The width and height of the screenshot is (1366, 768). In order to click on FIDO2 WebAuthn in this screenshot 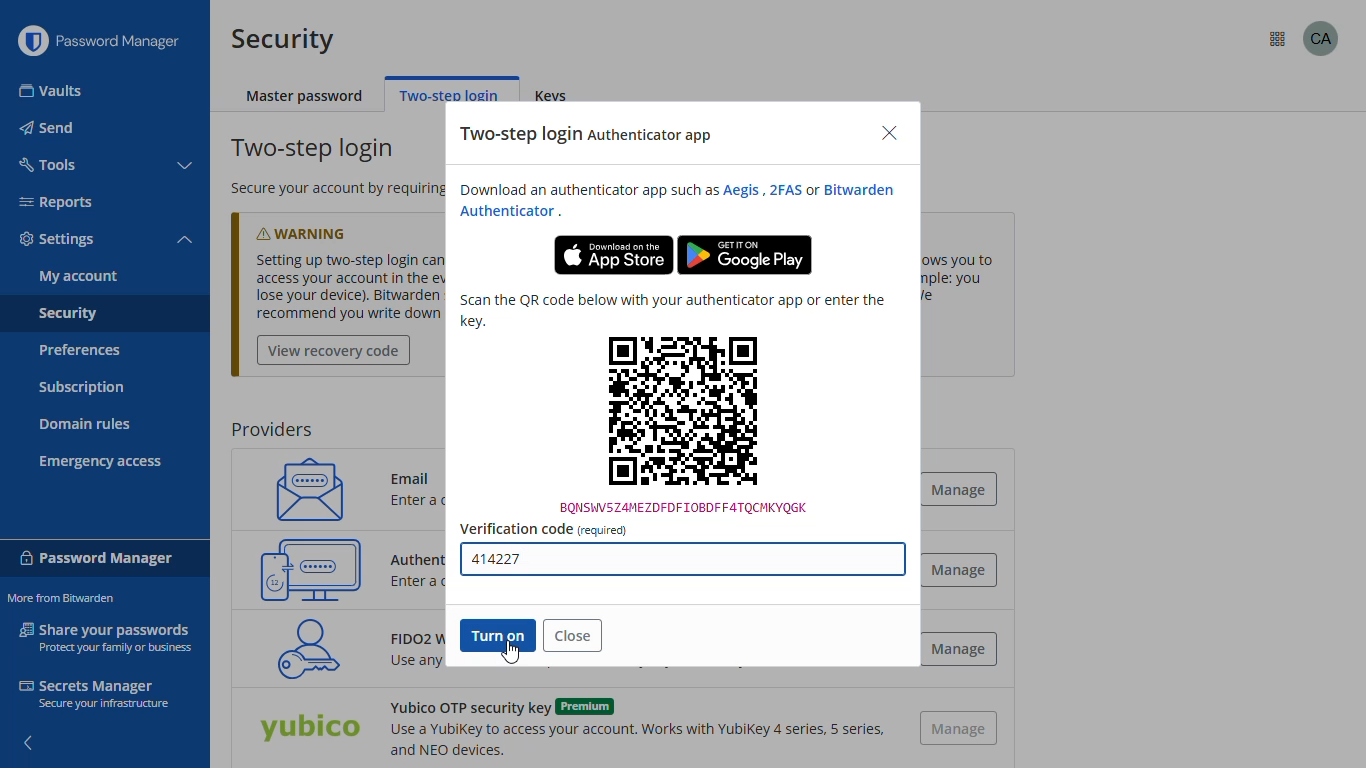, I will do `click(302, 648)`.